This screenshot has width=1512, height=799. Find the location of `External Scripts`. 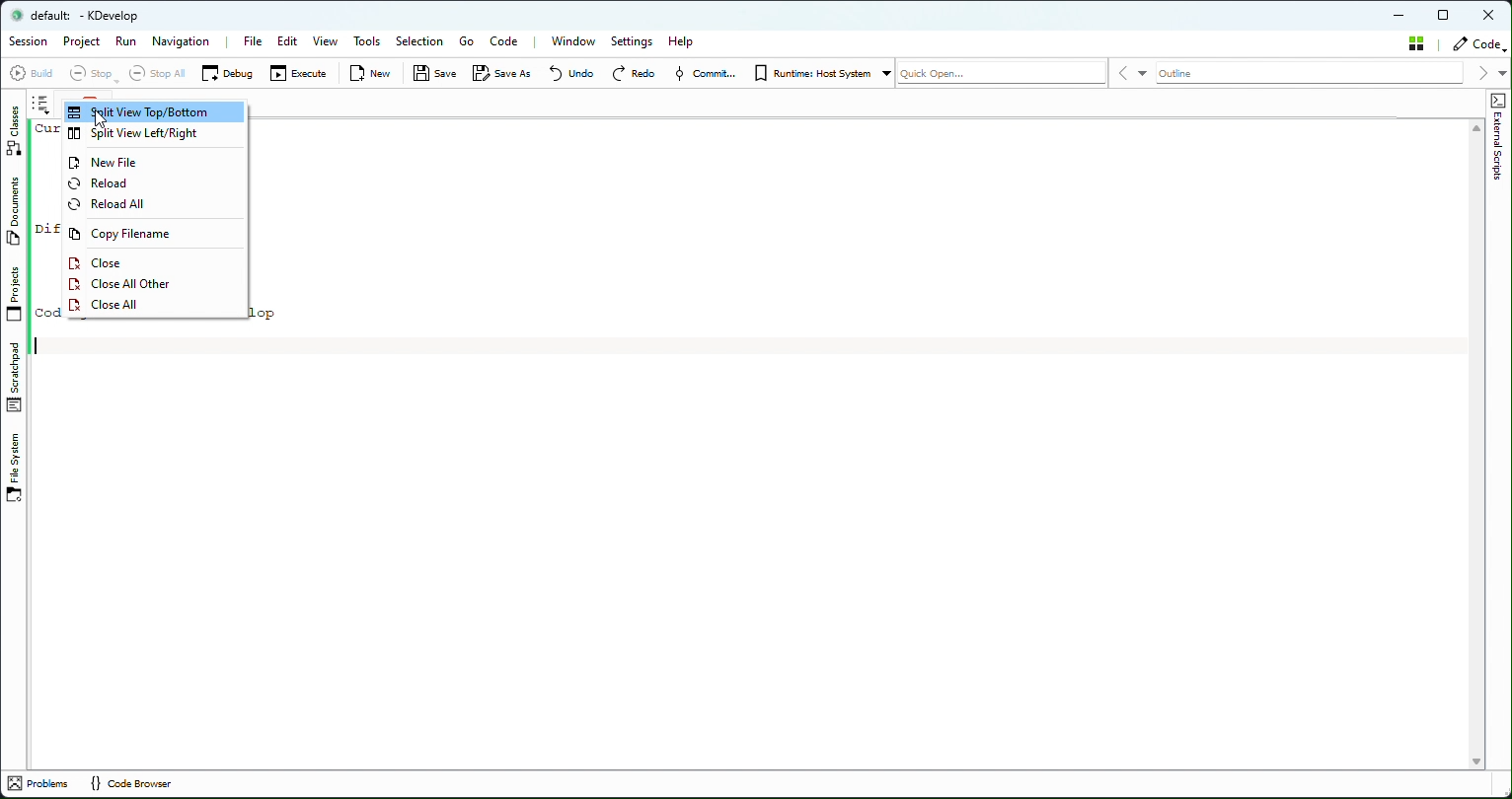

External Scripts is located at coordinates (1500, 178).